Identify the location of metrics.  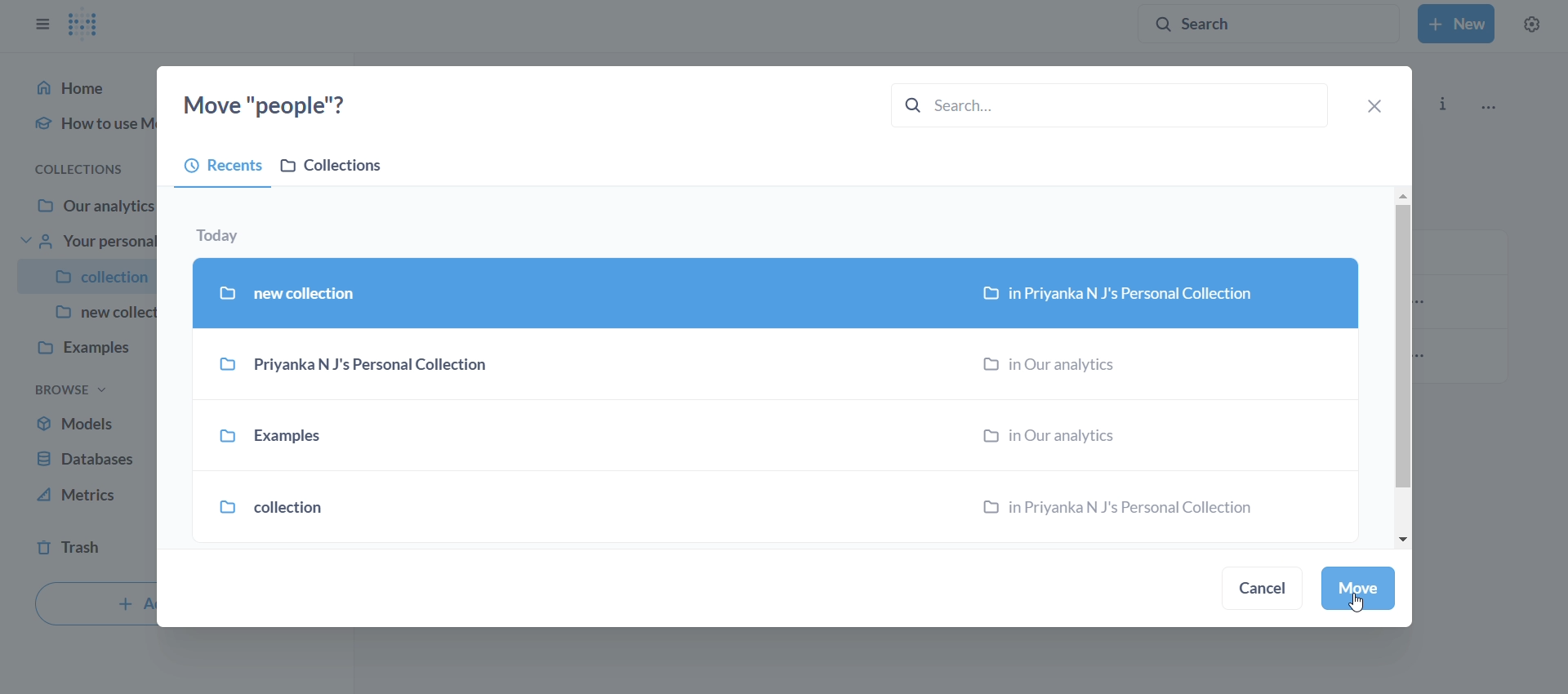
(77, 497).